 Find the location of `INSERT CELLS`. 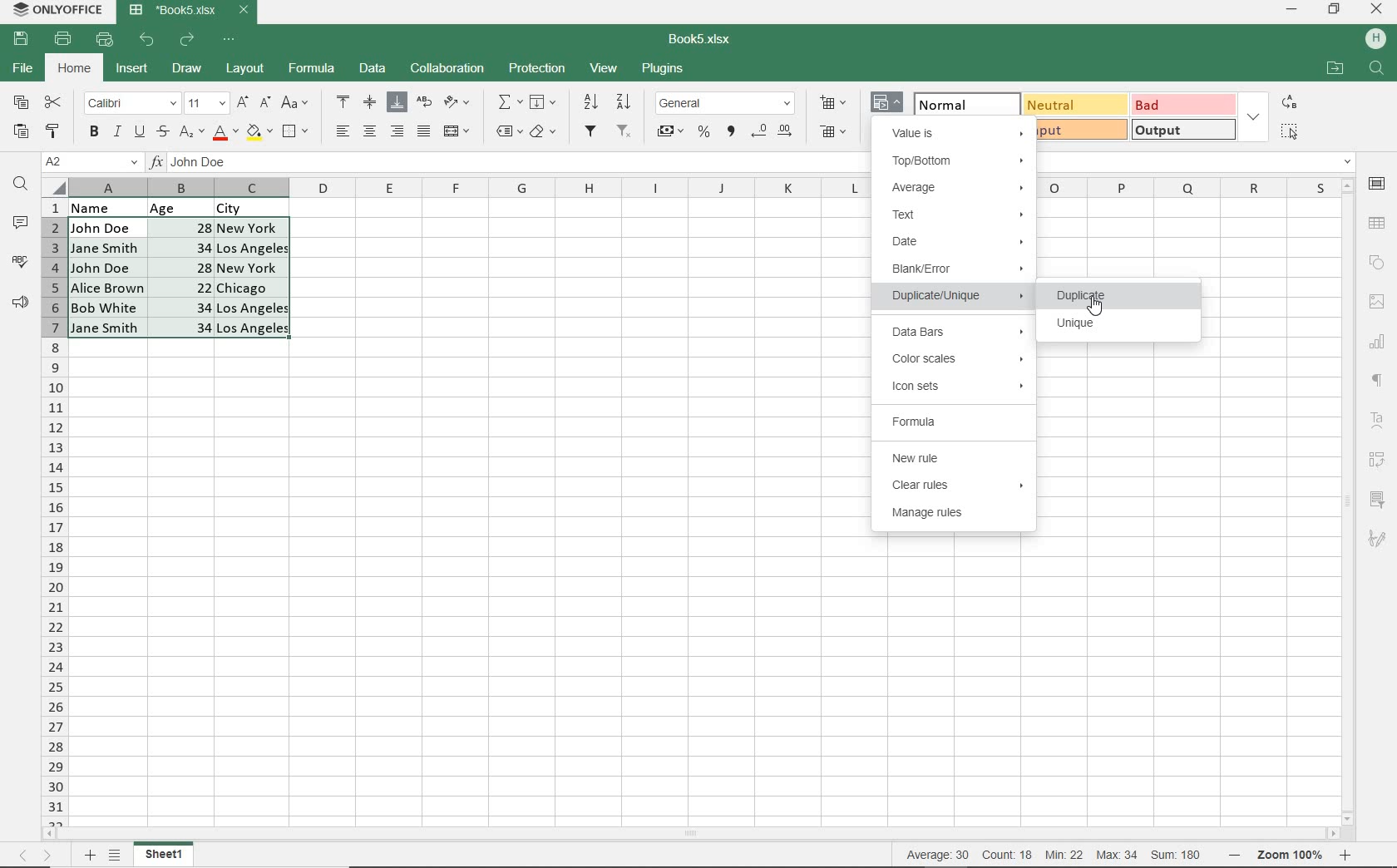

INSERT CELLS is located at coordinates (837, 101).